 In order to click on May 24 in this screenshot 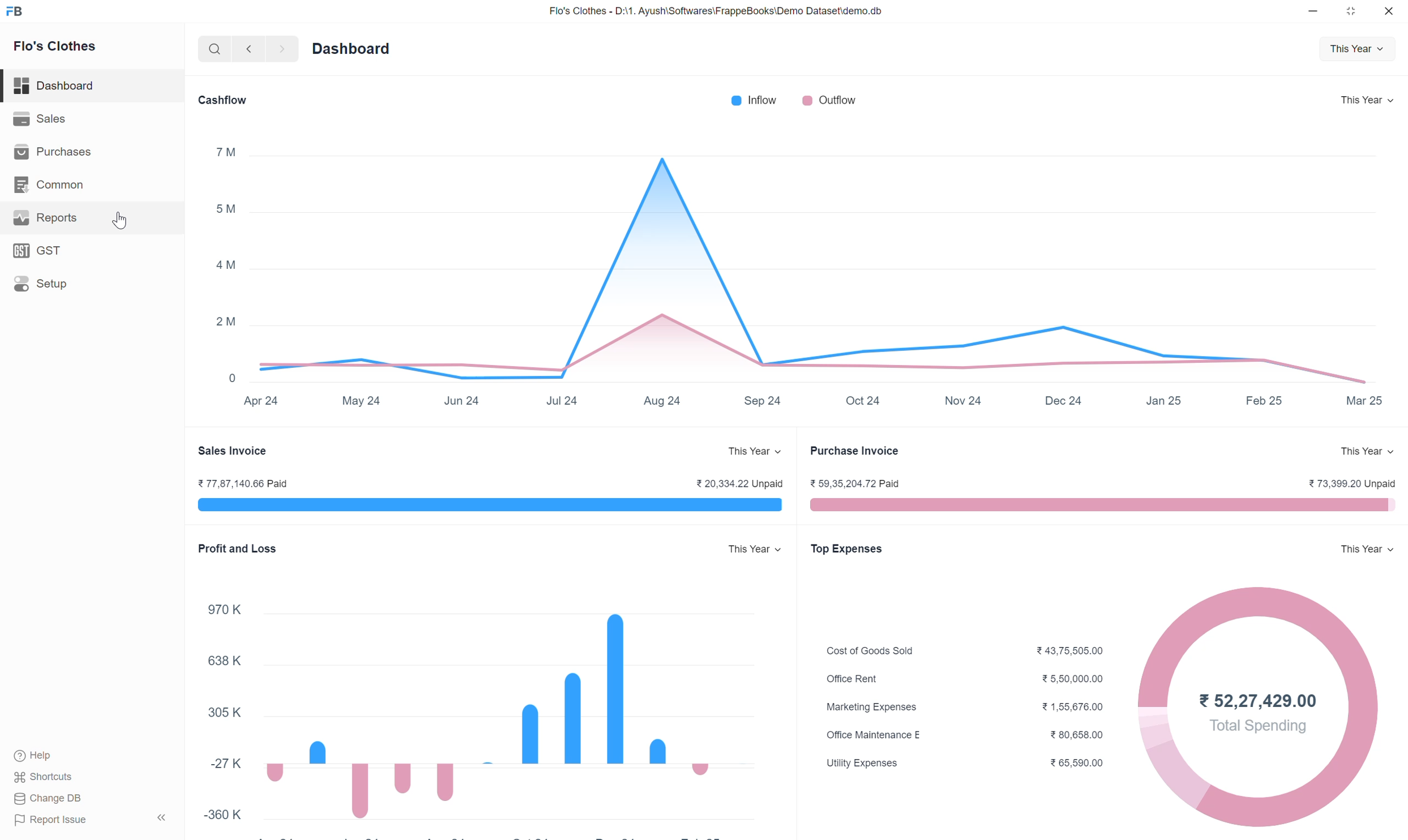, I will do `click(365, 401)`.